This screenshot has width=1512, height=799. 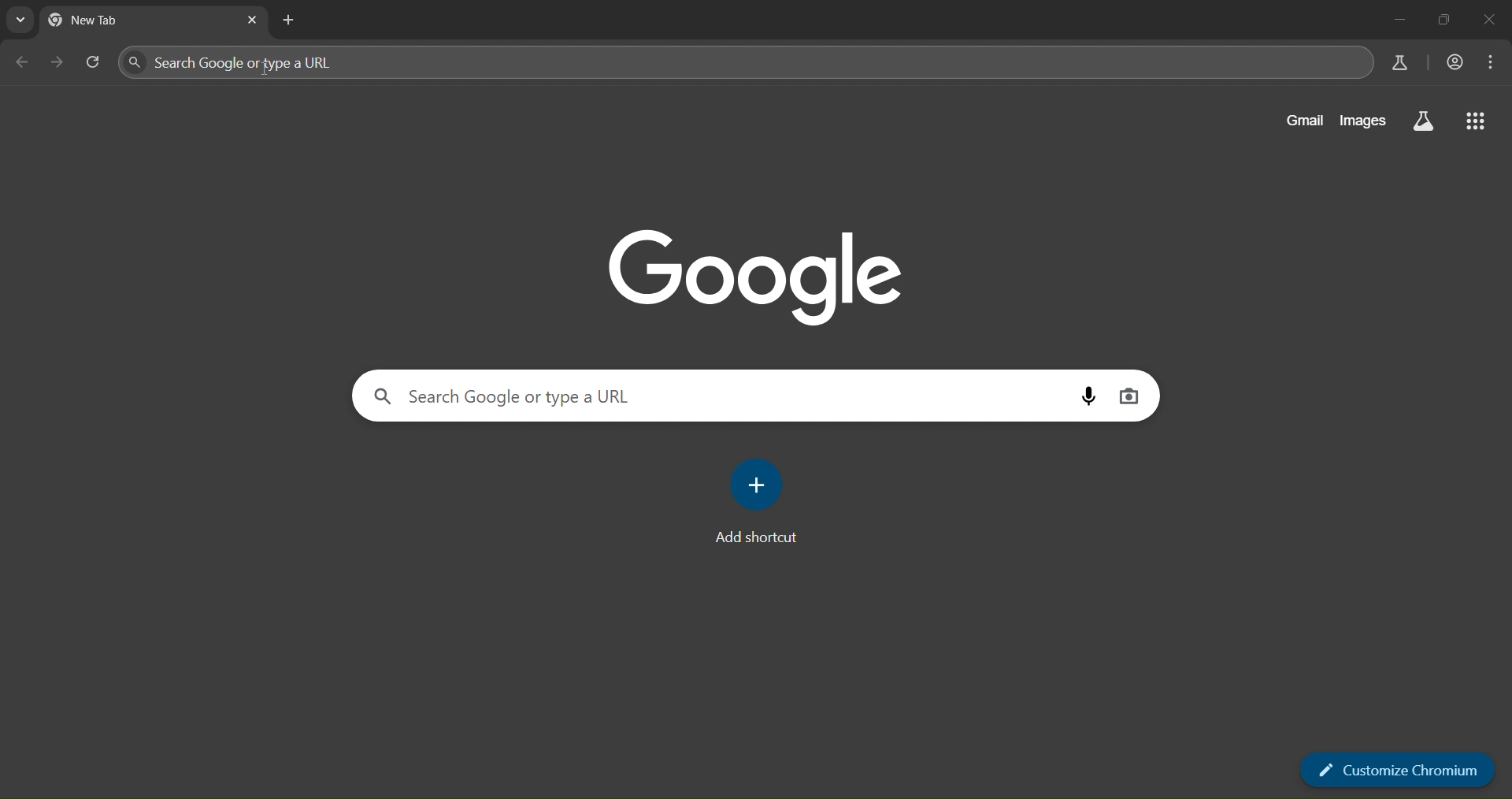 I want to click on close tab, so click(x=254, y=19).